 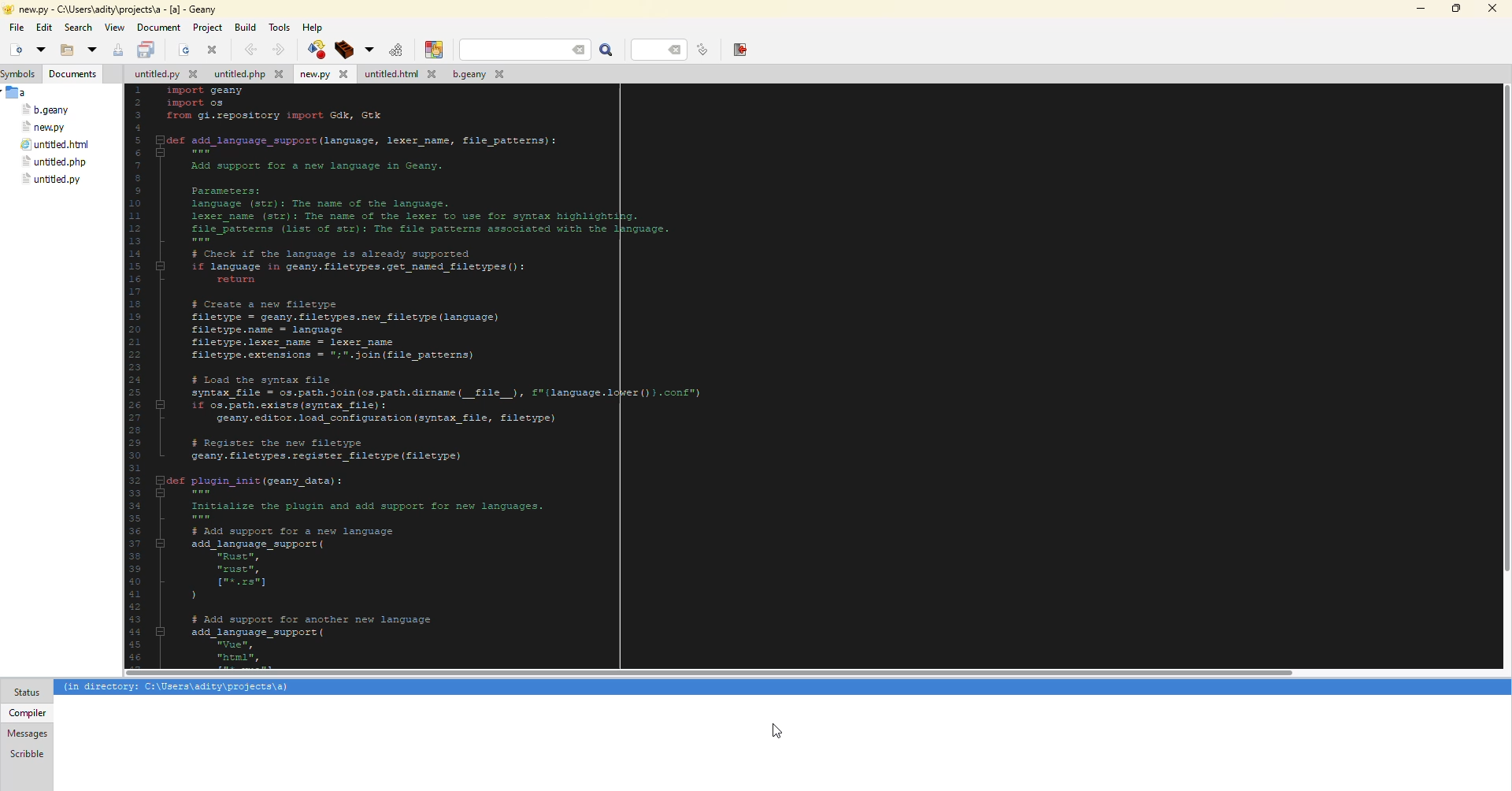 I want to click on open, so click(x=182, y=50).